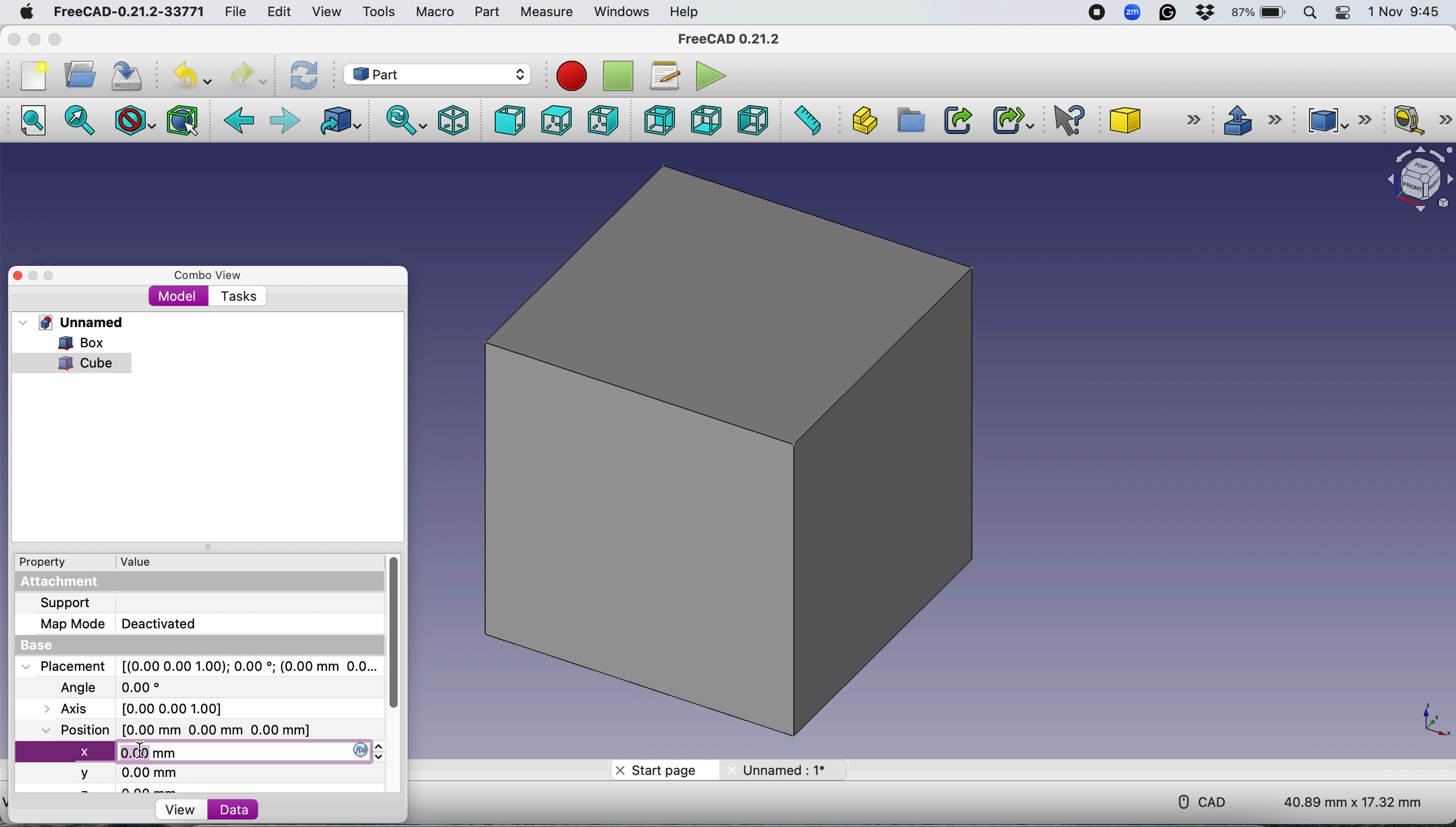  What do you see at coordinates (195, 751) in the screenshot?
I see `x 0.00 mm` at bounding box center [195, 751].